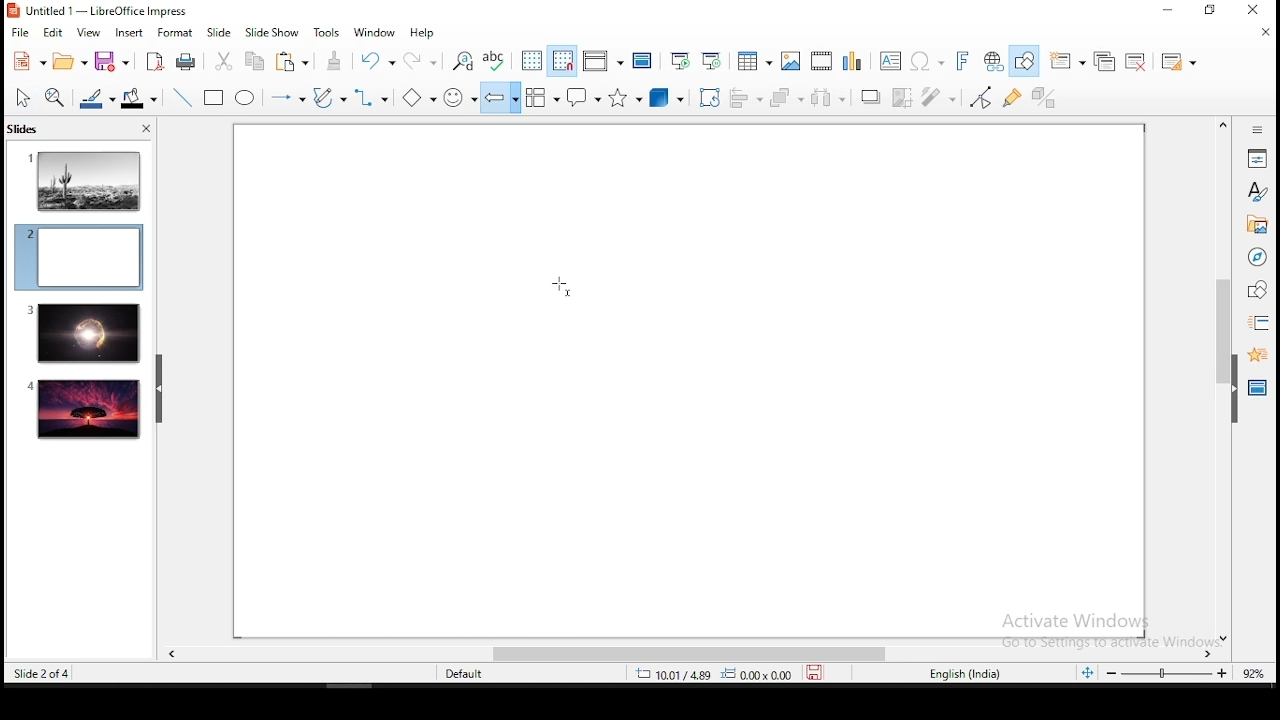  I want to click on 0.00x0.00, so click(757, 674).